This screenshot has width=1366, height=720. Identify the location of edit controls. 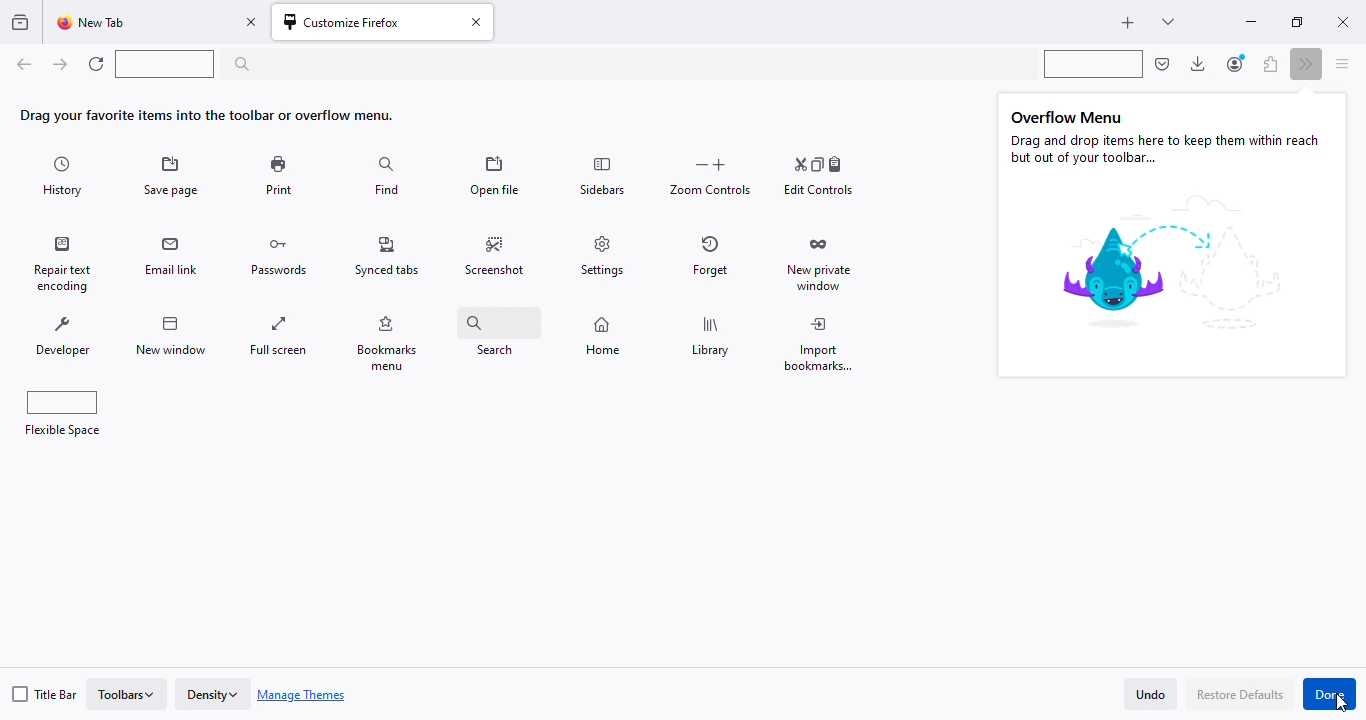
(818, 175).